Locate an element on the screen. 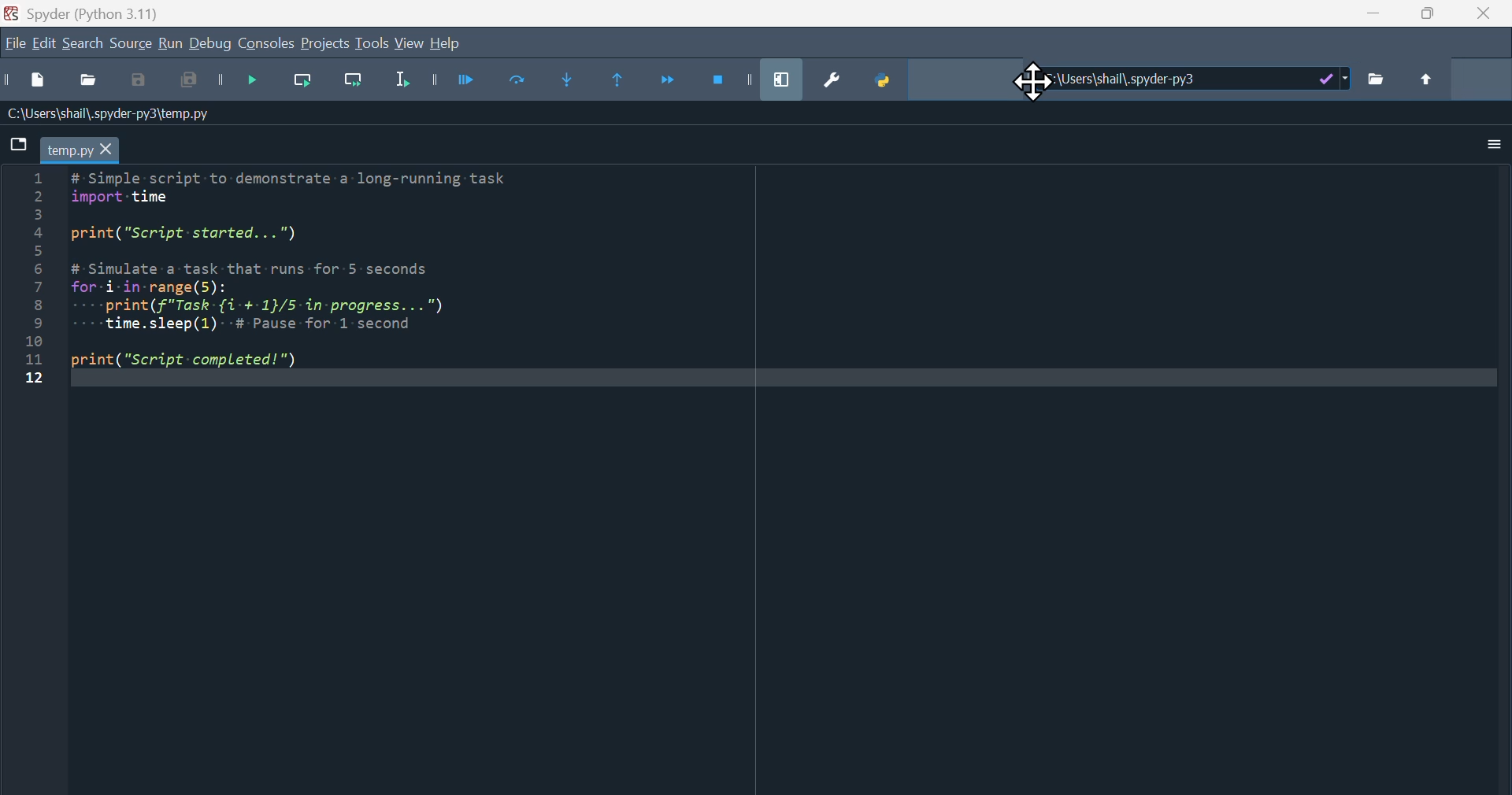 The height and width of the screenshot is (795, 1512). More options is located at coordinates (1483, 148).